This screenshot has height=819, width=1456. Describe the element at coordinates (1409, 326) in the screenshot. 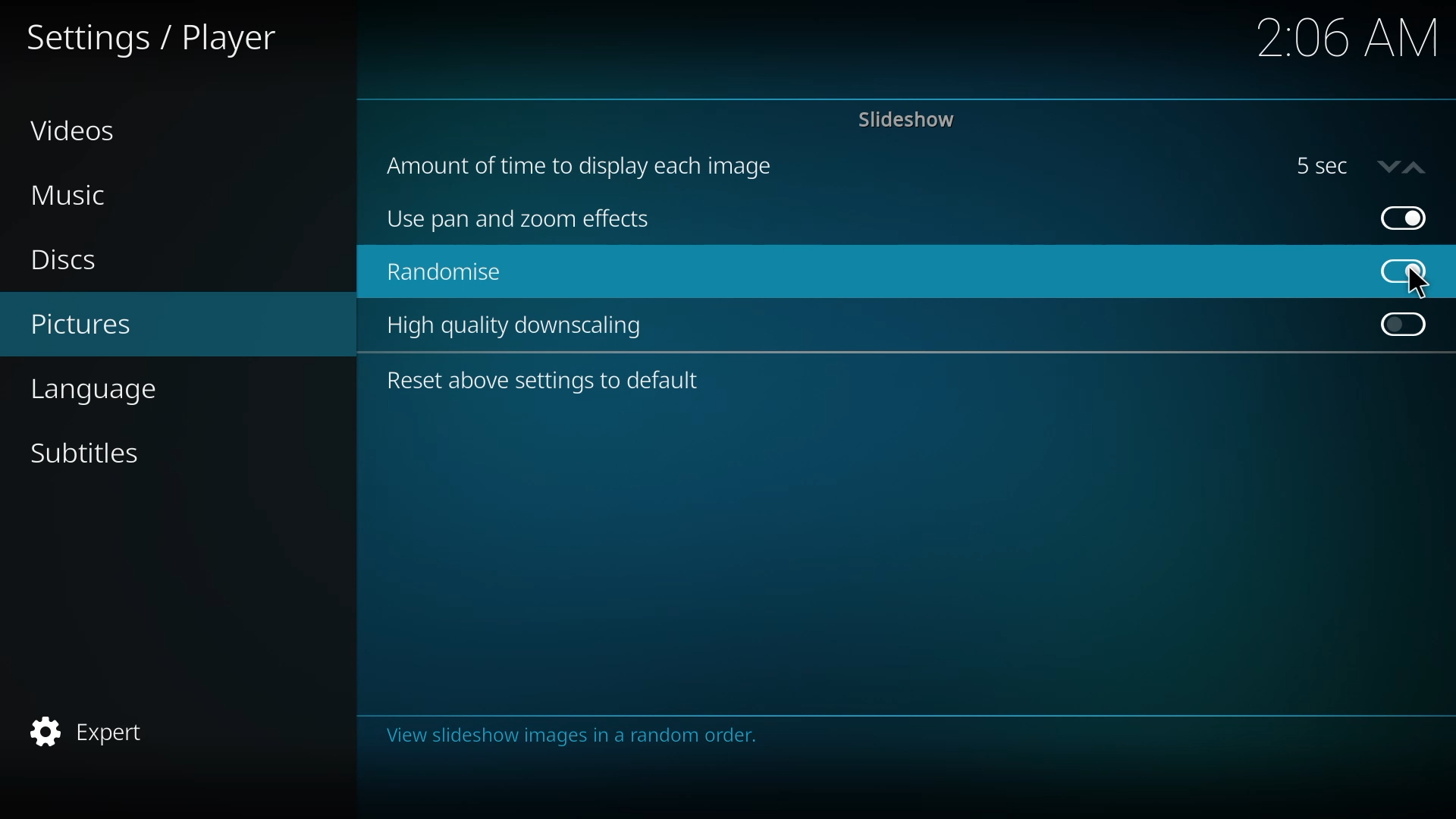

I see `click to enable` at that location.